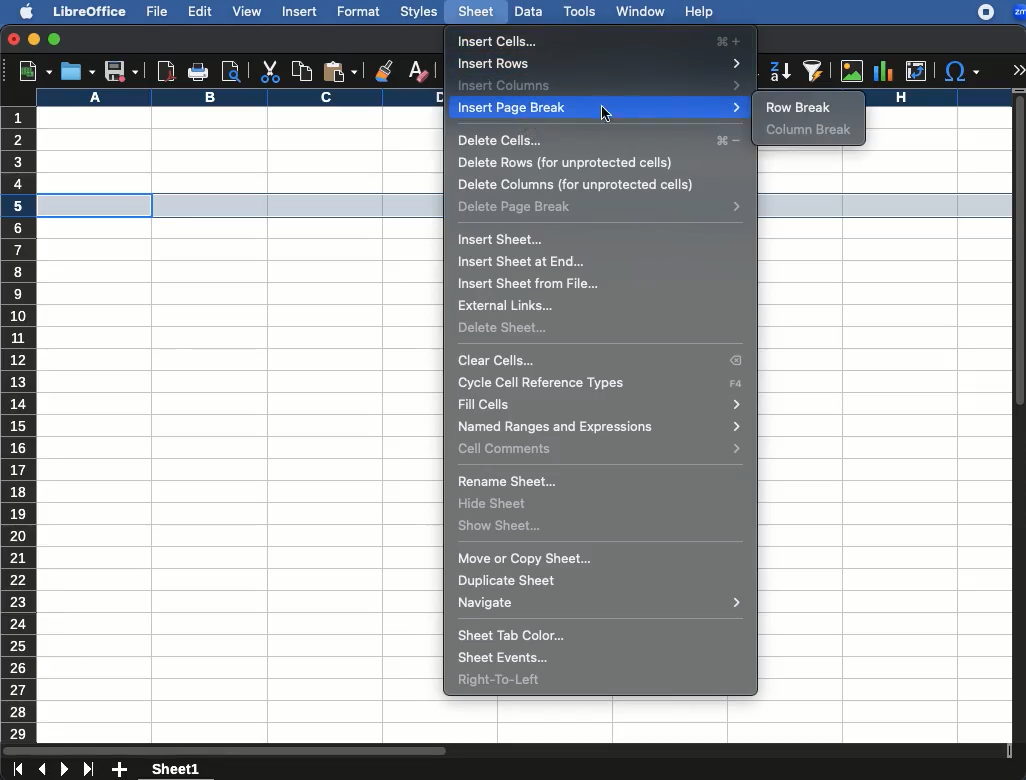 The width and height of the screenshot is (1026, 780). I want to click on format, so click(359, 12).